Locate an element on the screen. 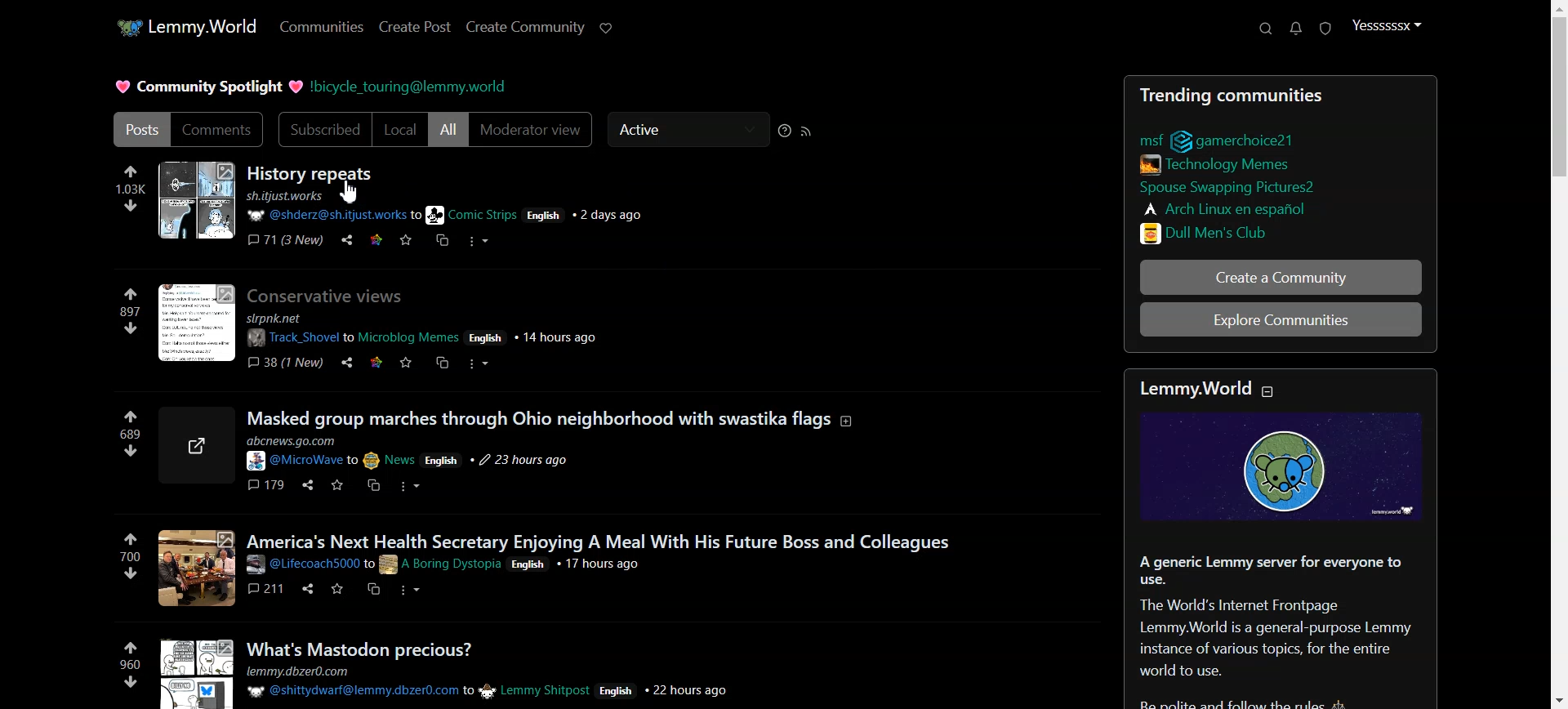  Support Lemmy is located at coordinates (605, 28).